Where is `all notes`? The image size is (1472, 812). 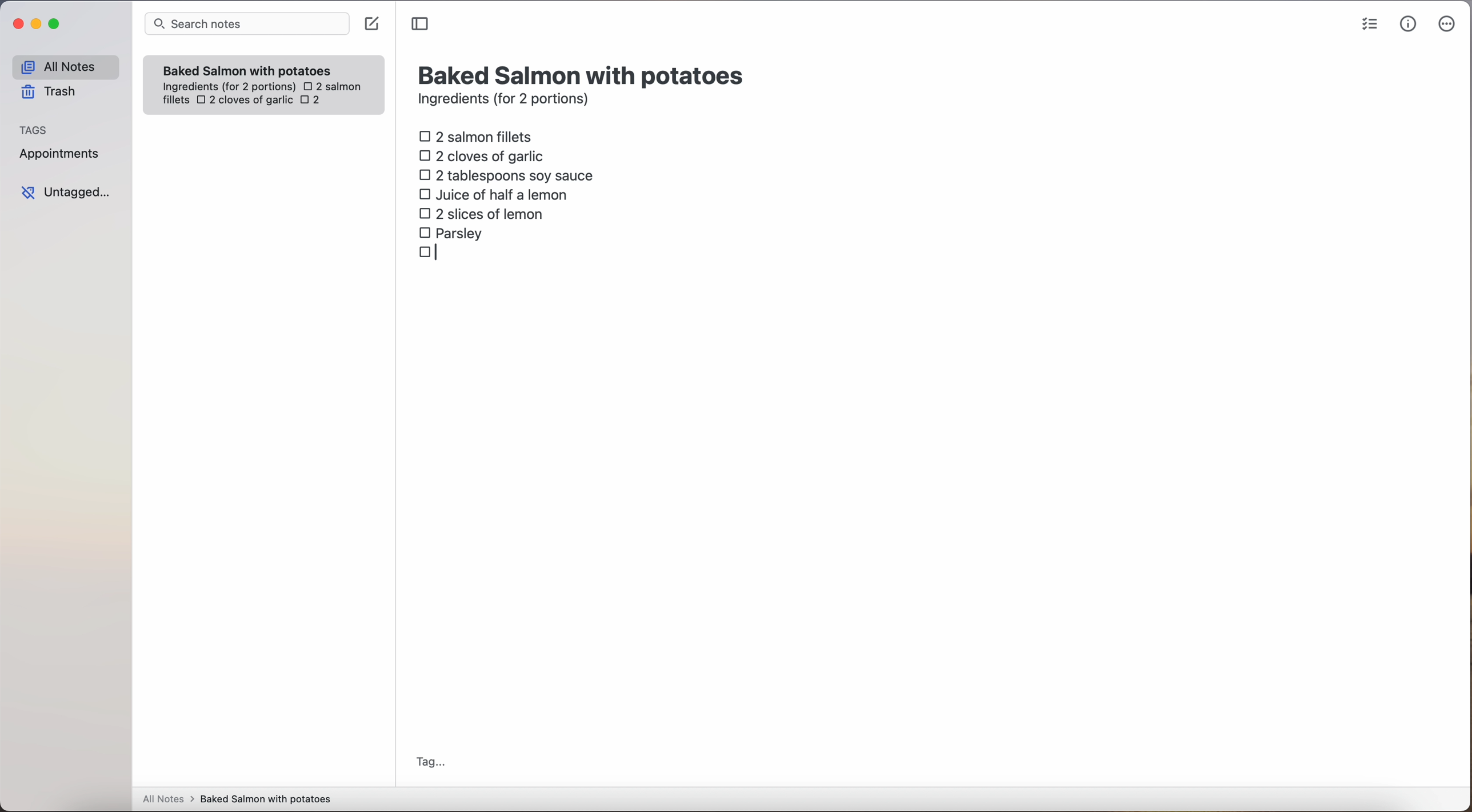 all notes is located at coordinates (65, 66).